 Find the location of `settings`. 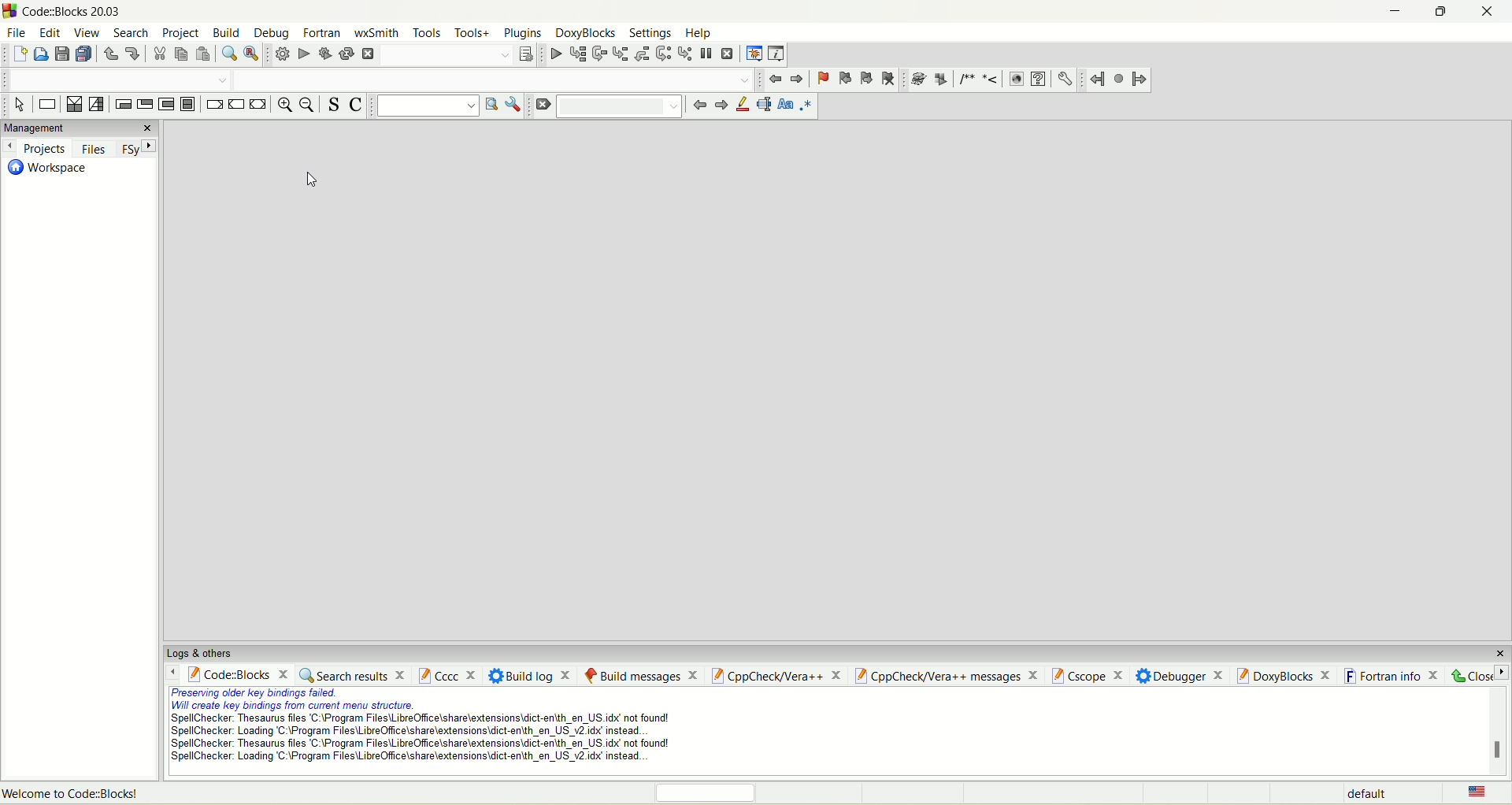

settings is located at coordinates (1065, 80).